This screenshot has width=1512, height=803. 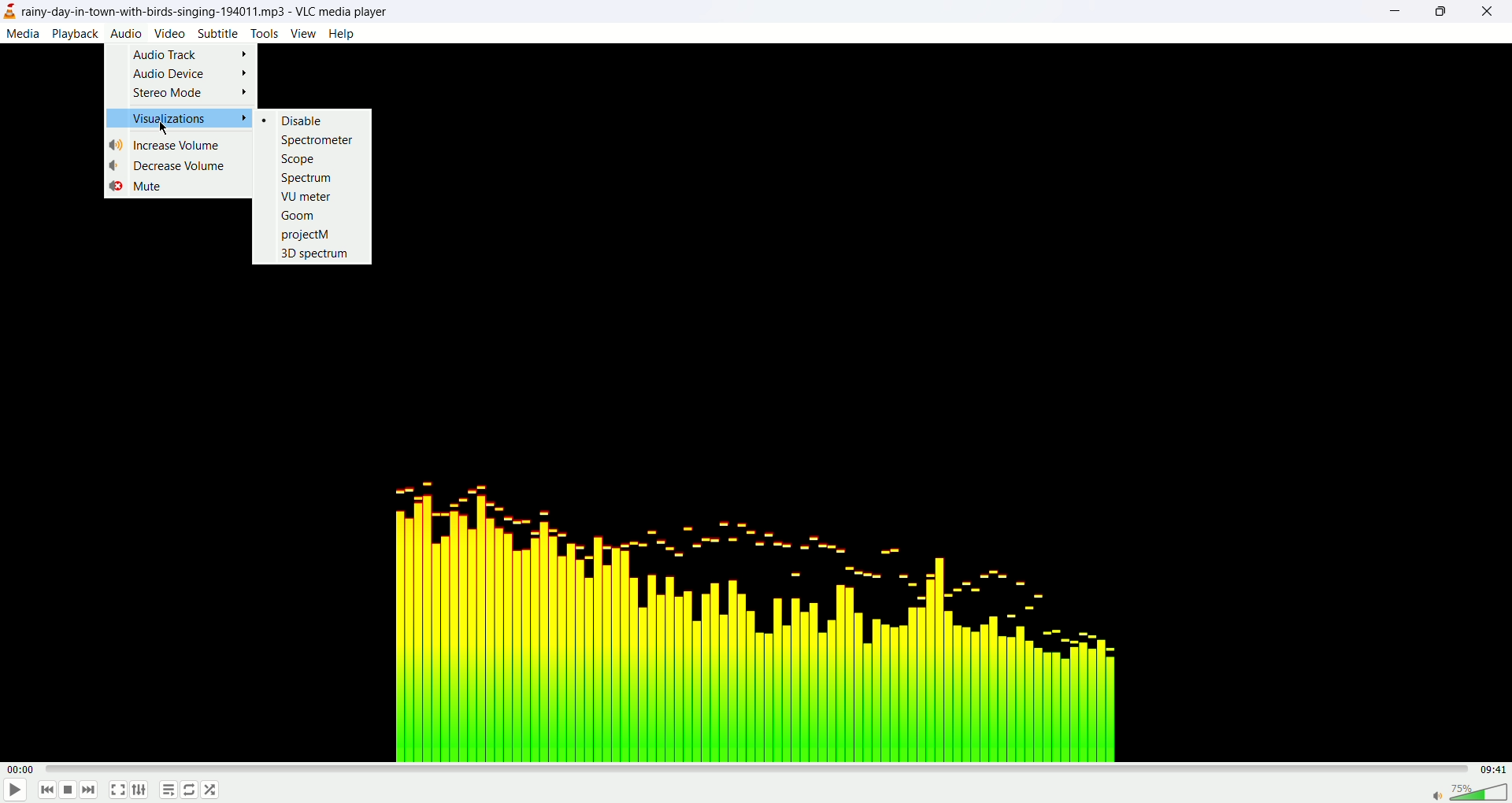 I want to click on next, so click(x=91, y=790).